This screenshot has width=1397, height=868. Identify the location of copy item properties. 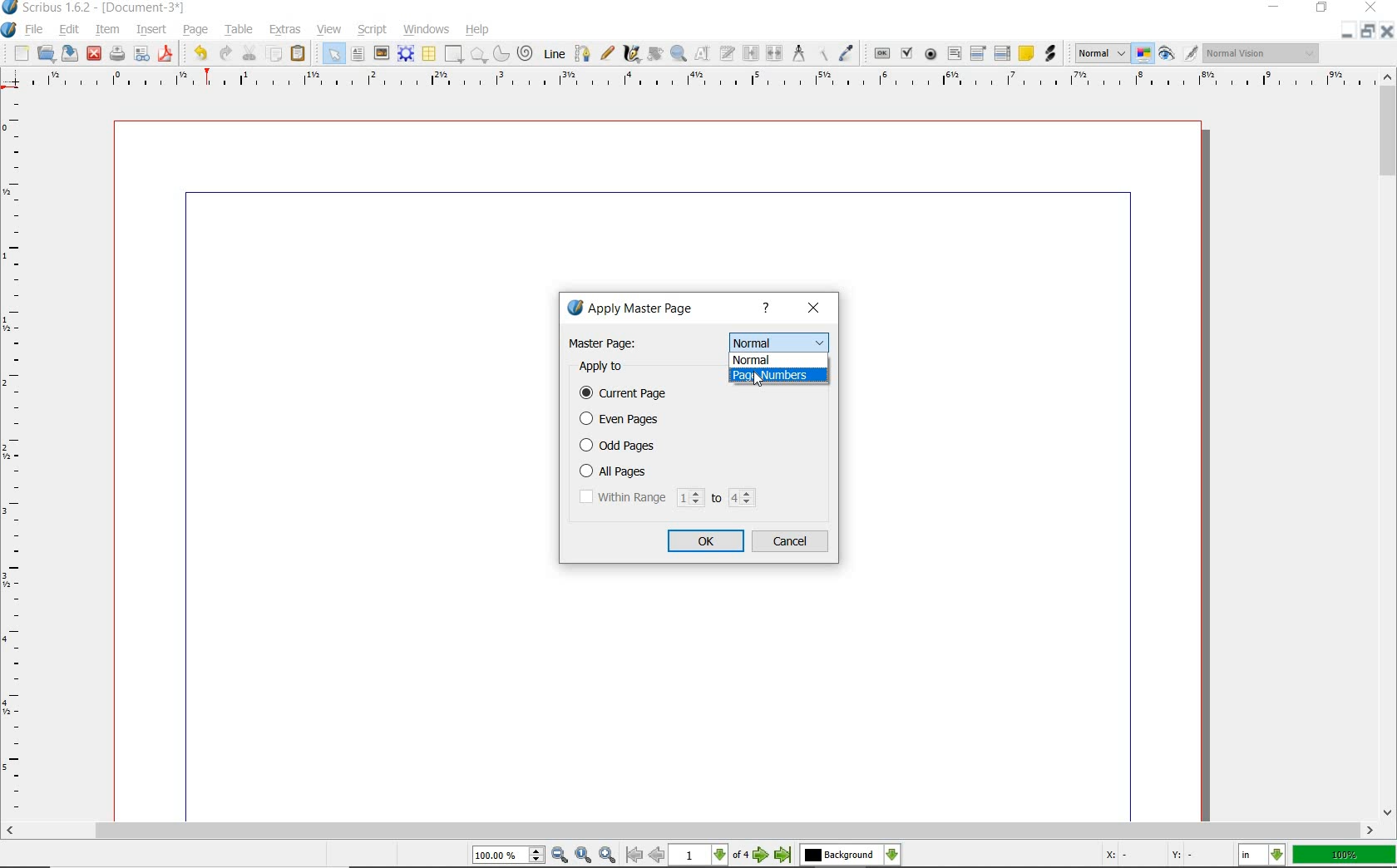
(822, 54).